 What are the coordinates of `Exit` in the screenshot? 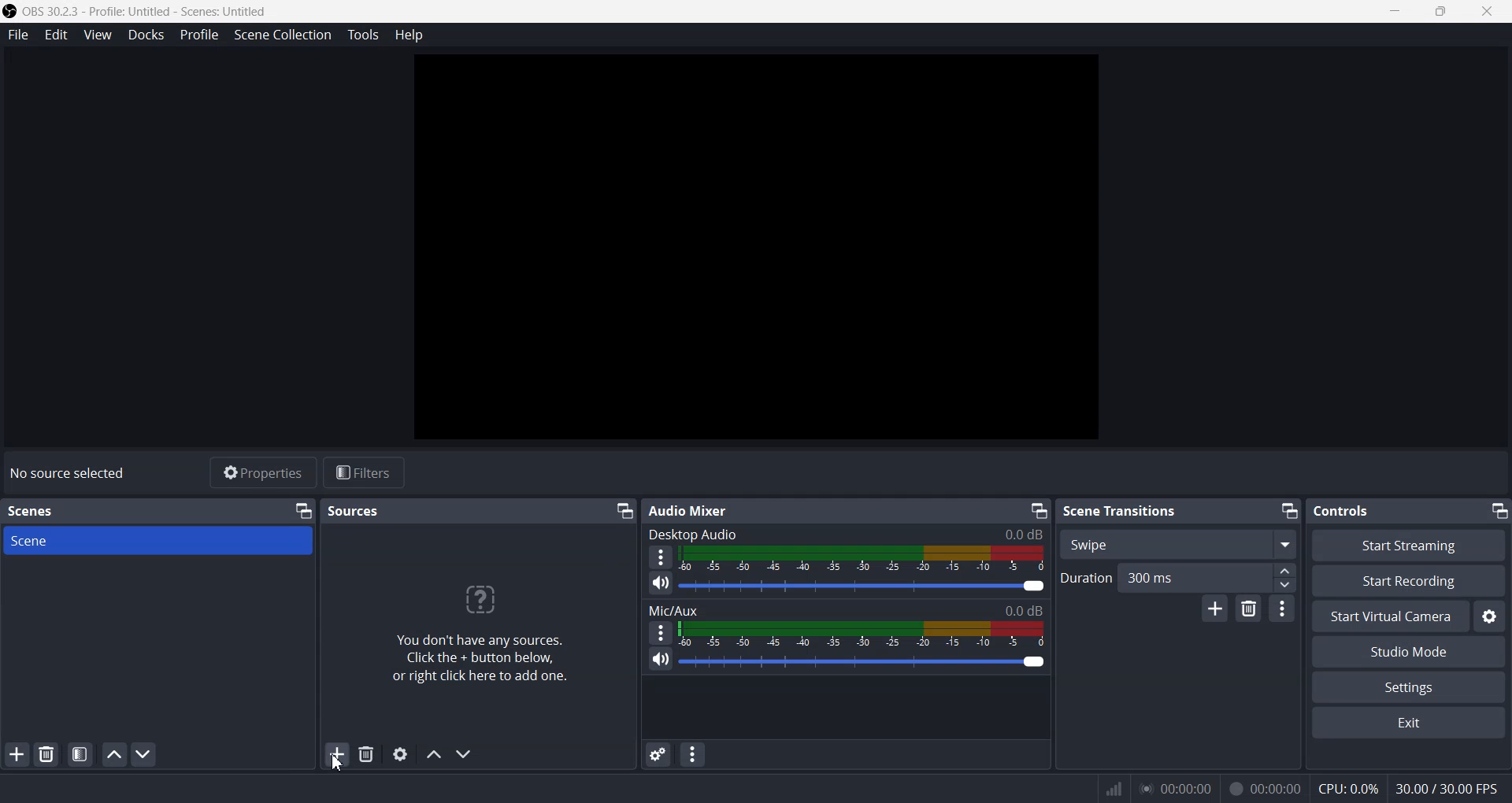 It's located at (1407, 722).